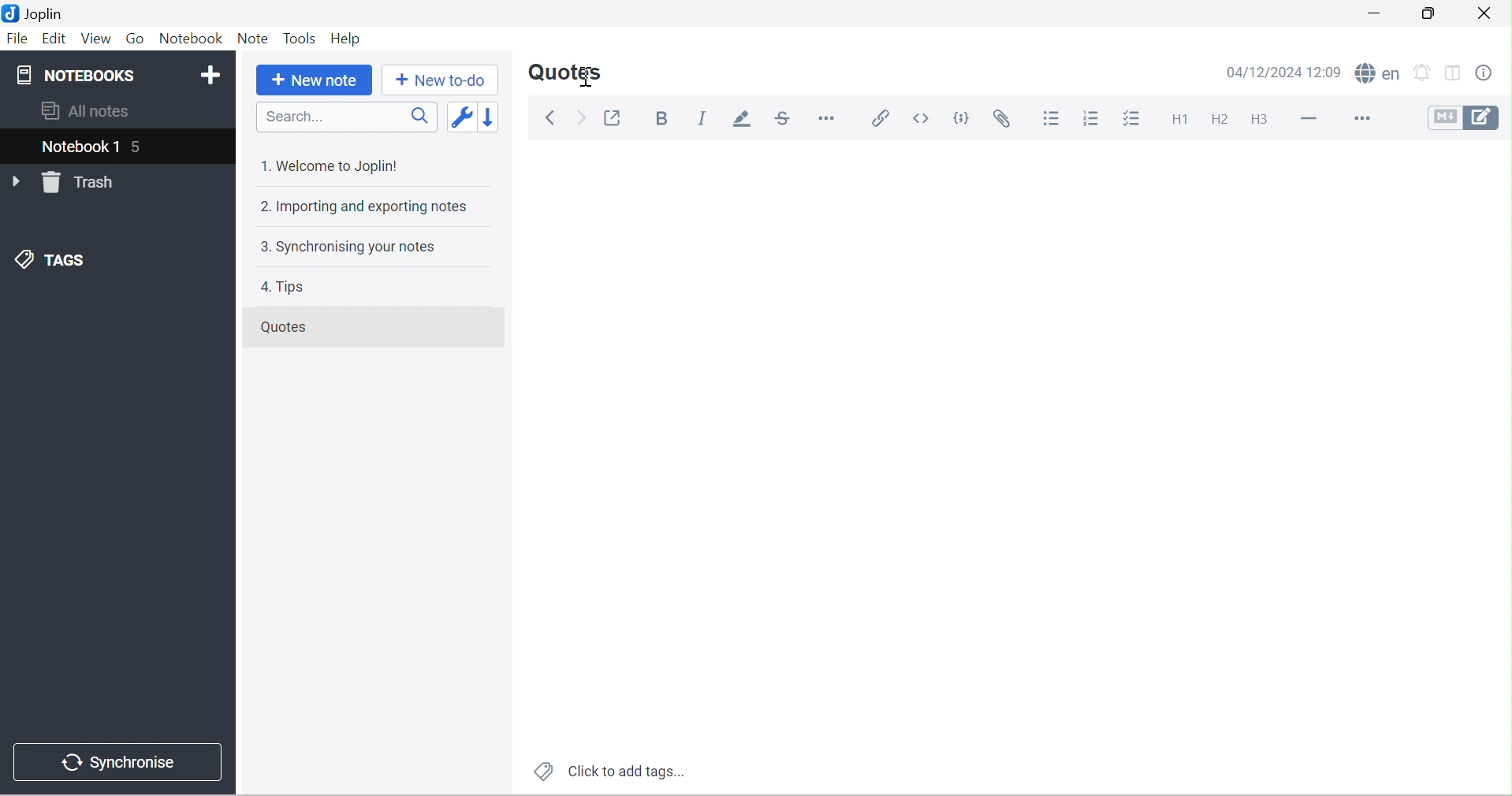 The image size is (1512, 796). Describe the element at coordinates (492, 114) in the screenshot. I see `Reverse sort order` at that location.